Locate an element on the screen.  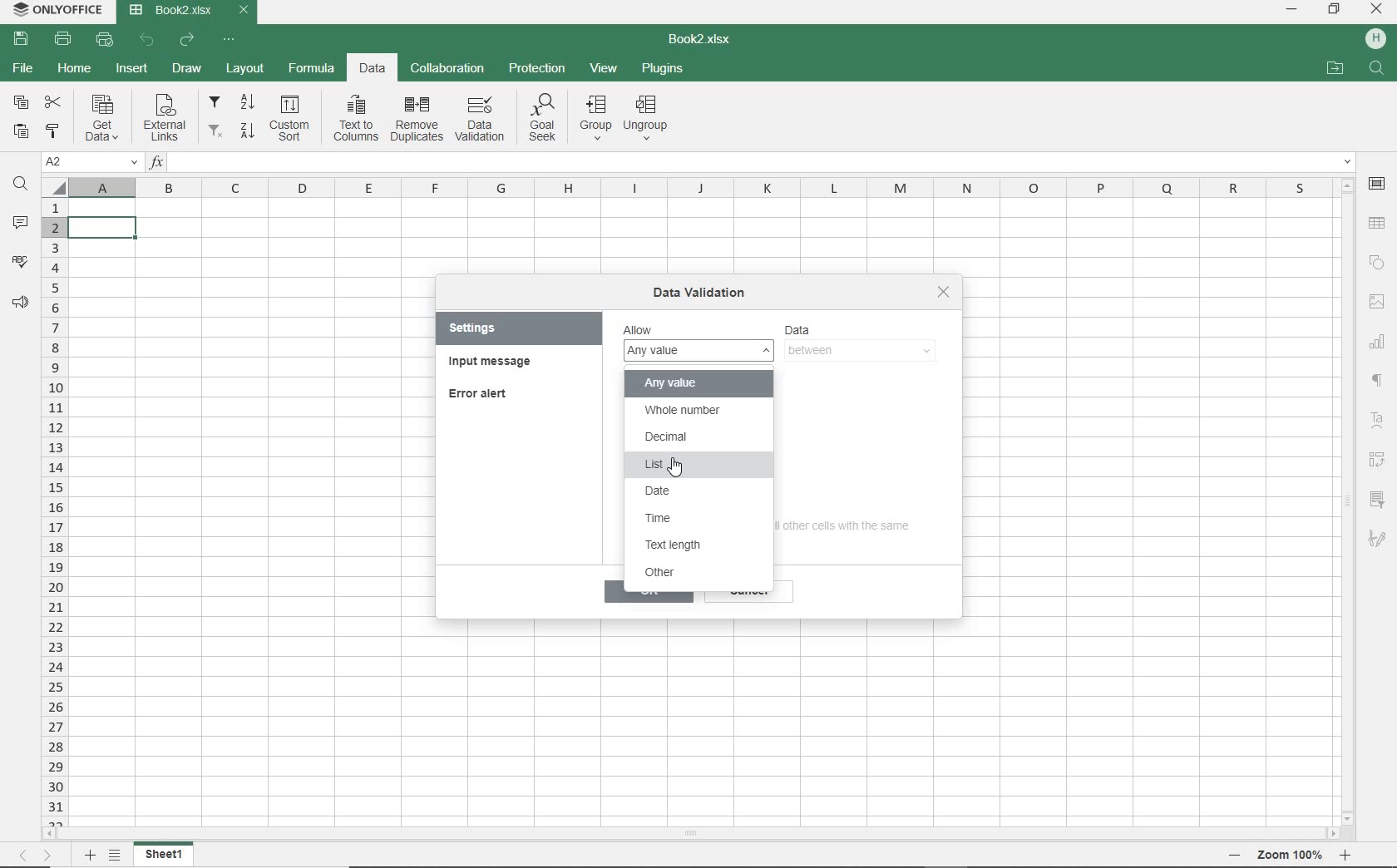
cancel is located at coordinates (748, 598).